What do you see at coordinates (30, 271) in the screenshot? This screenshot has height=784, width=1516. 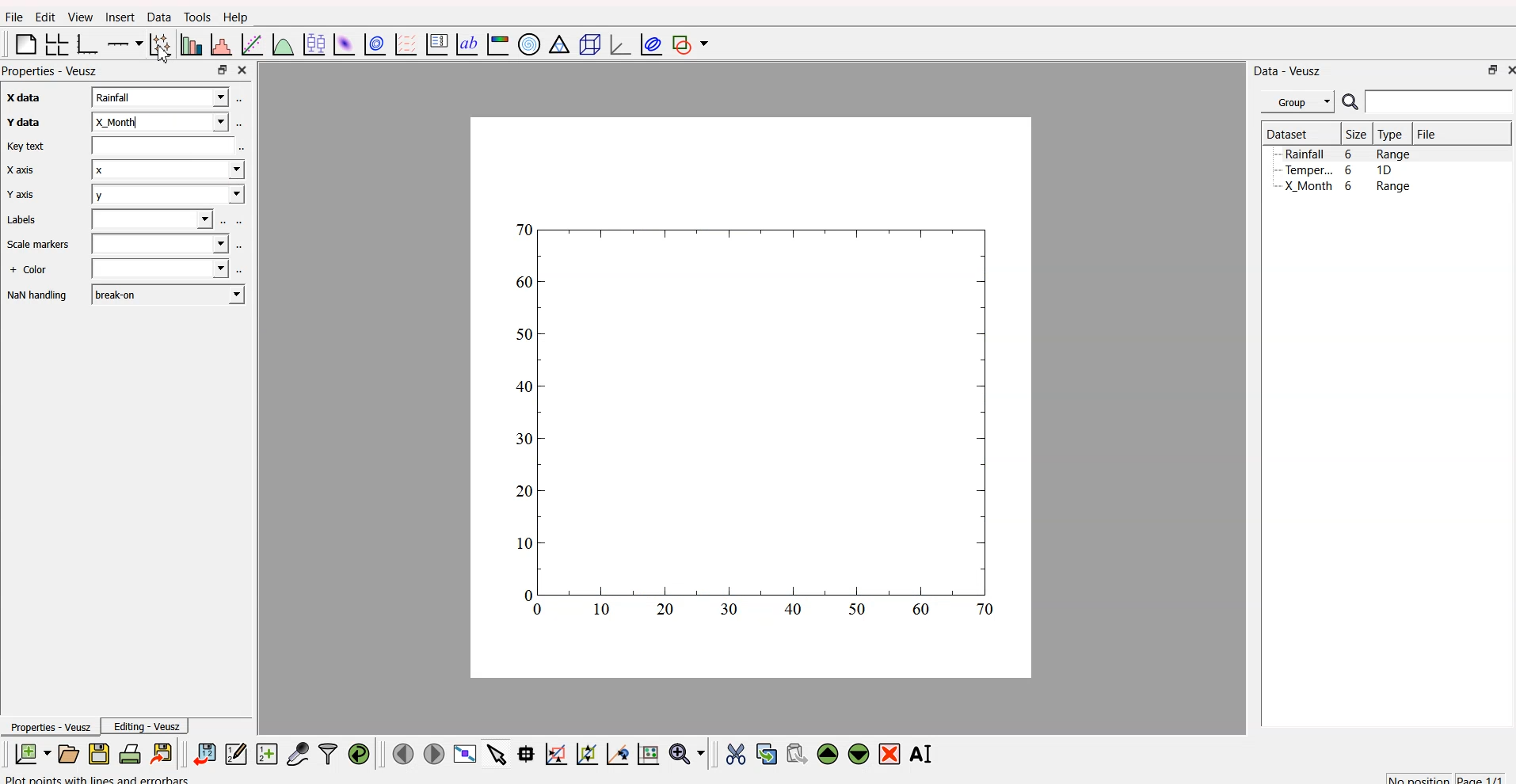 I see `+ Color` at bounding box center [30, 271].